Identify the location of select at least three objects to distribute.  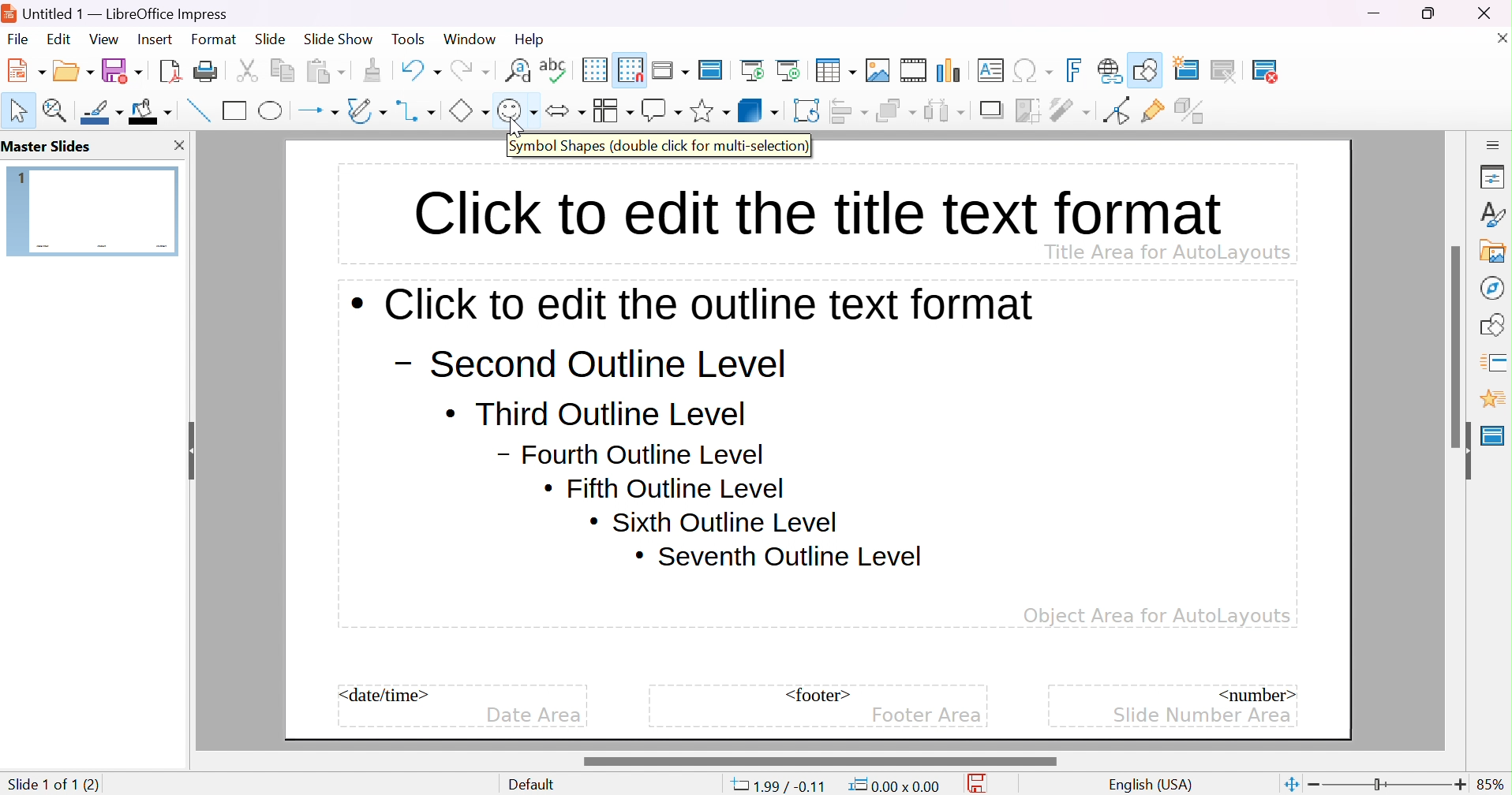
(945, 110).